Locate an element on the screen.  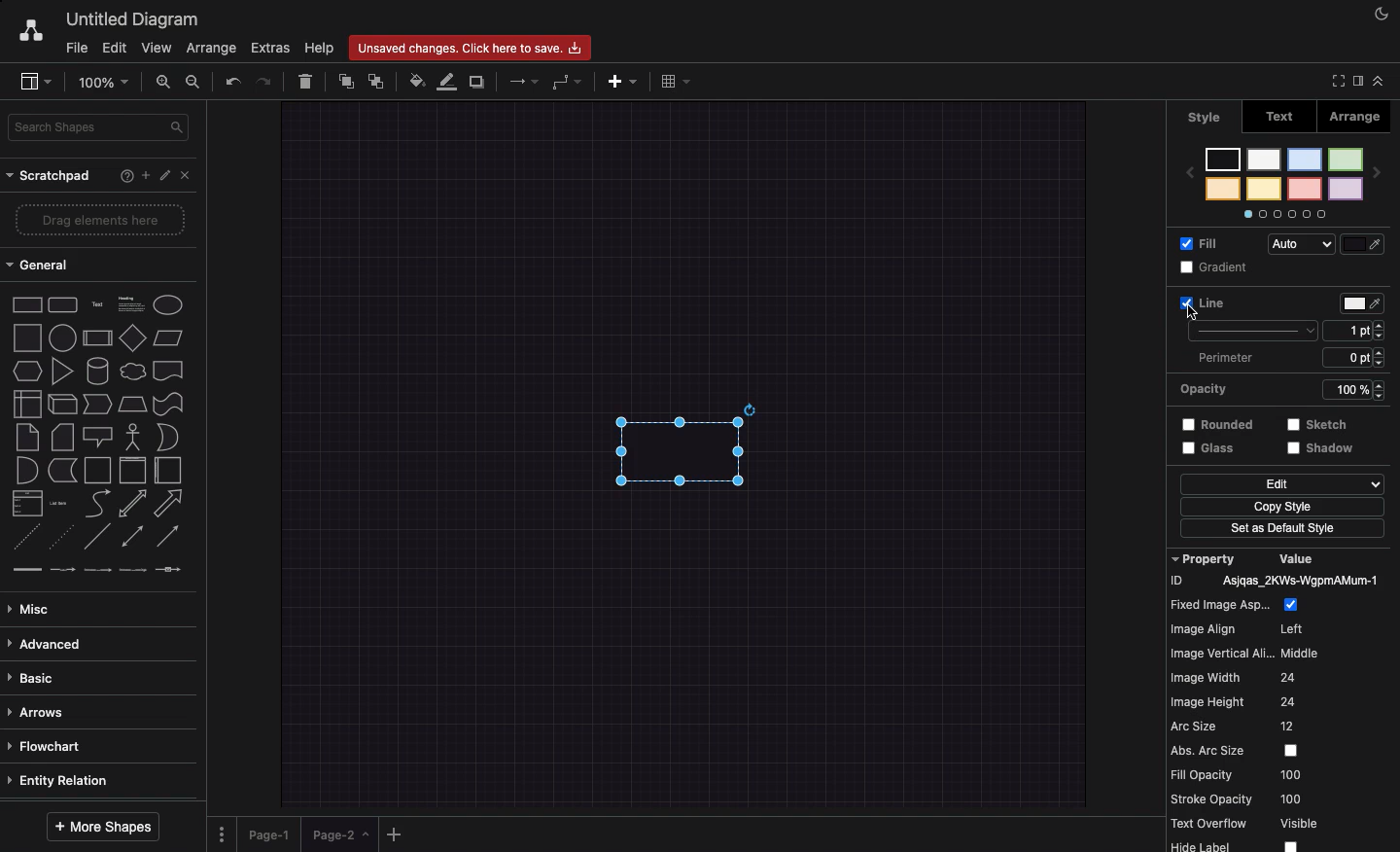
data storage is located at coordinates (61, 470).